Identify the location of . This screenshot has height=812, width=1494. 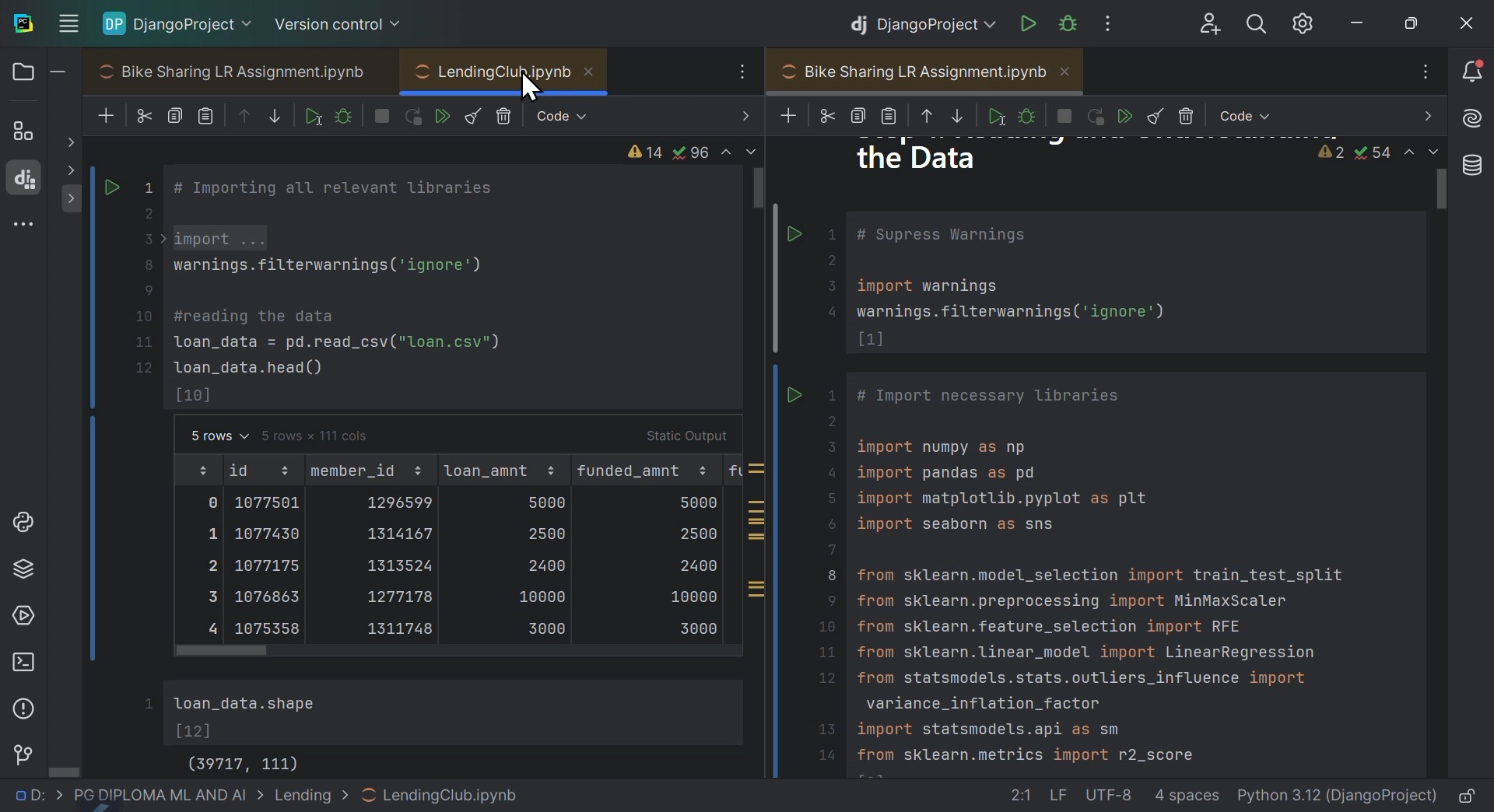
(1241, 116).